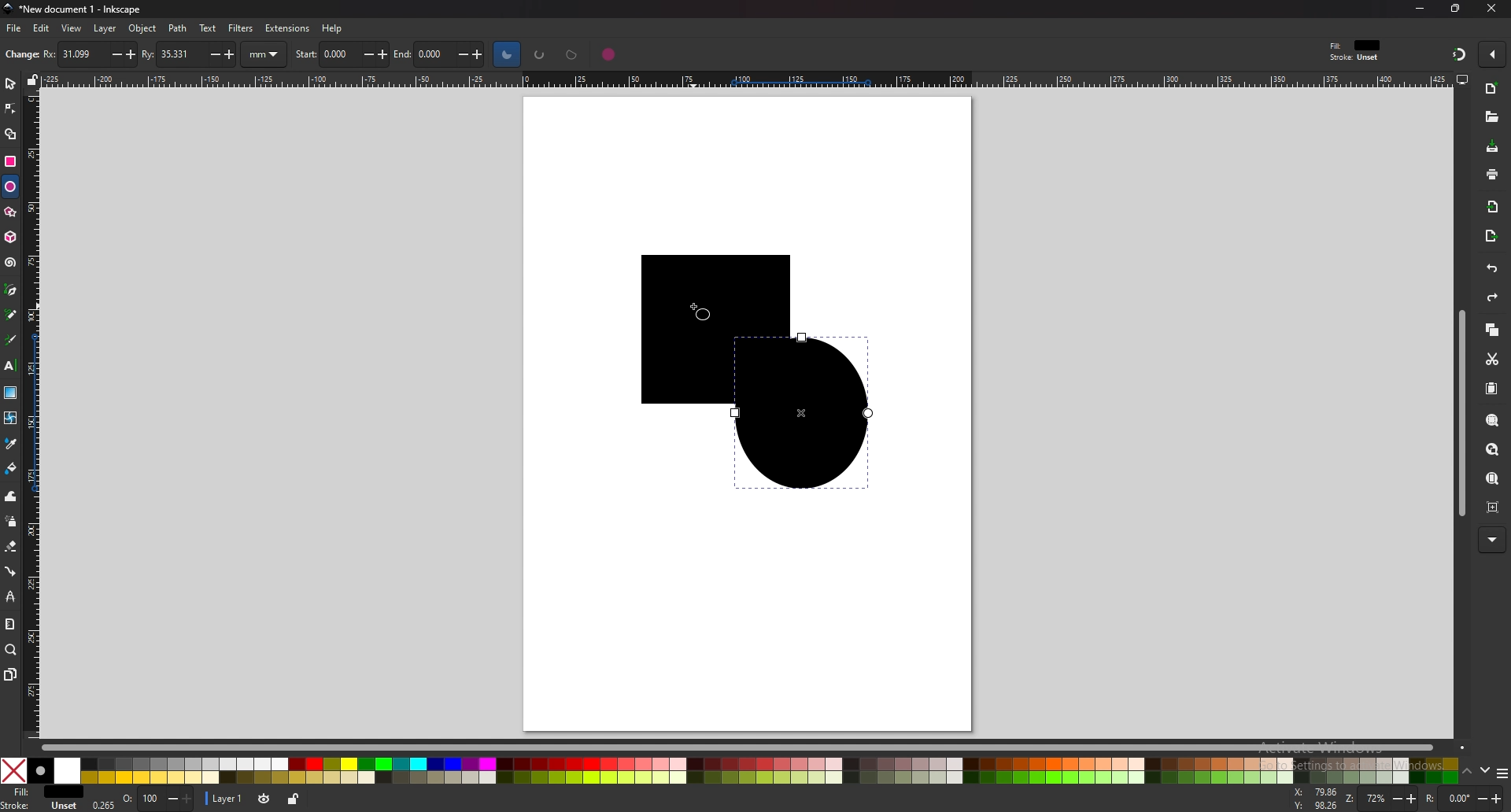  Describe the element at coordinates (1461, 79) in the screenshot. I see `display options` at that location.